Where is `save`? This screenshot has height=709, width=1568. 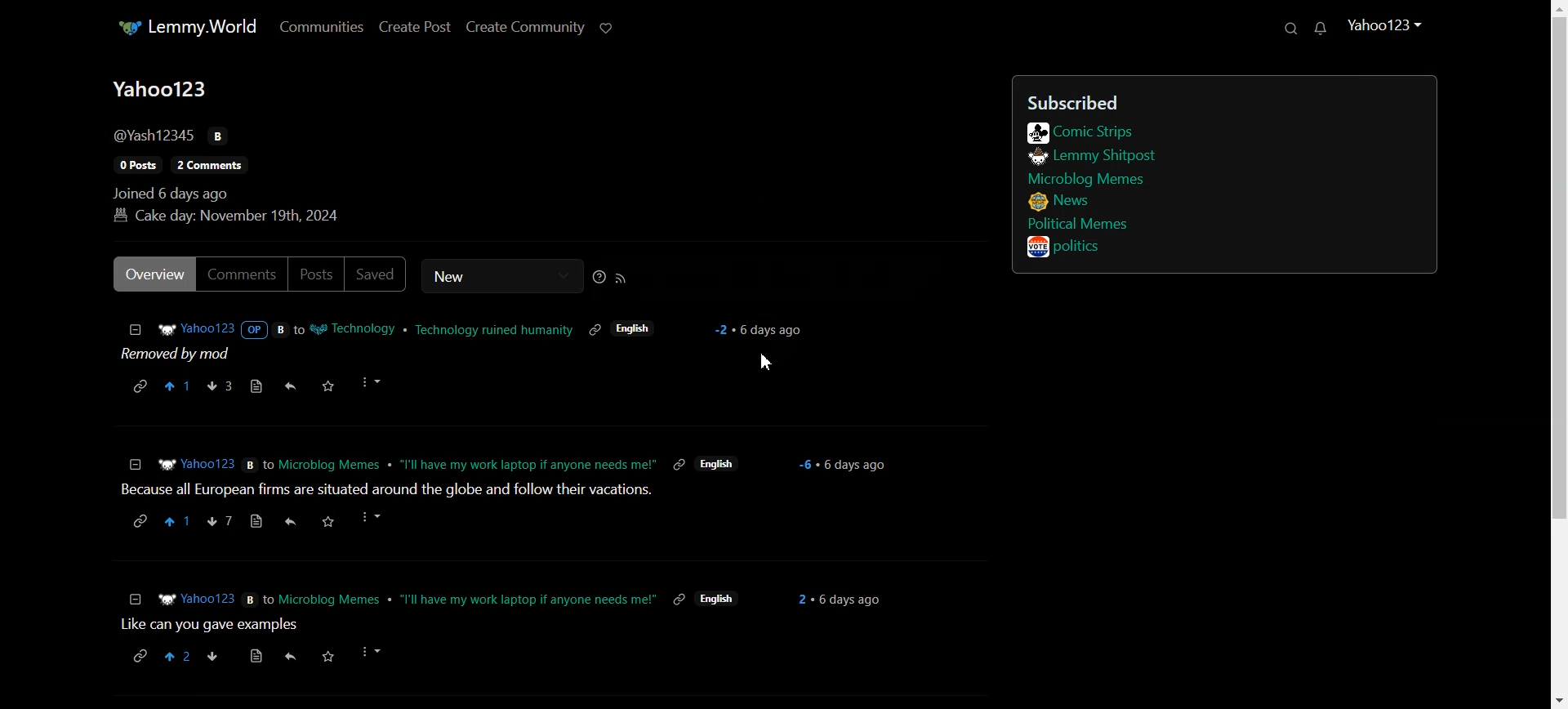
save is located at coordinates (327, 520).